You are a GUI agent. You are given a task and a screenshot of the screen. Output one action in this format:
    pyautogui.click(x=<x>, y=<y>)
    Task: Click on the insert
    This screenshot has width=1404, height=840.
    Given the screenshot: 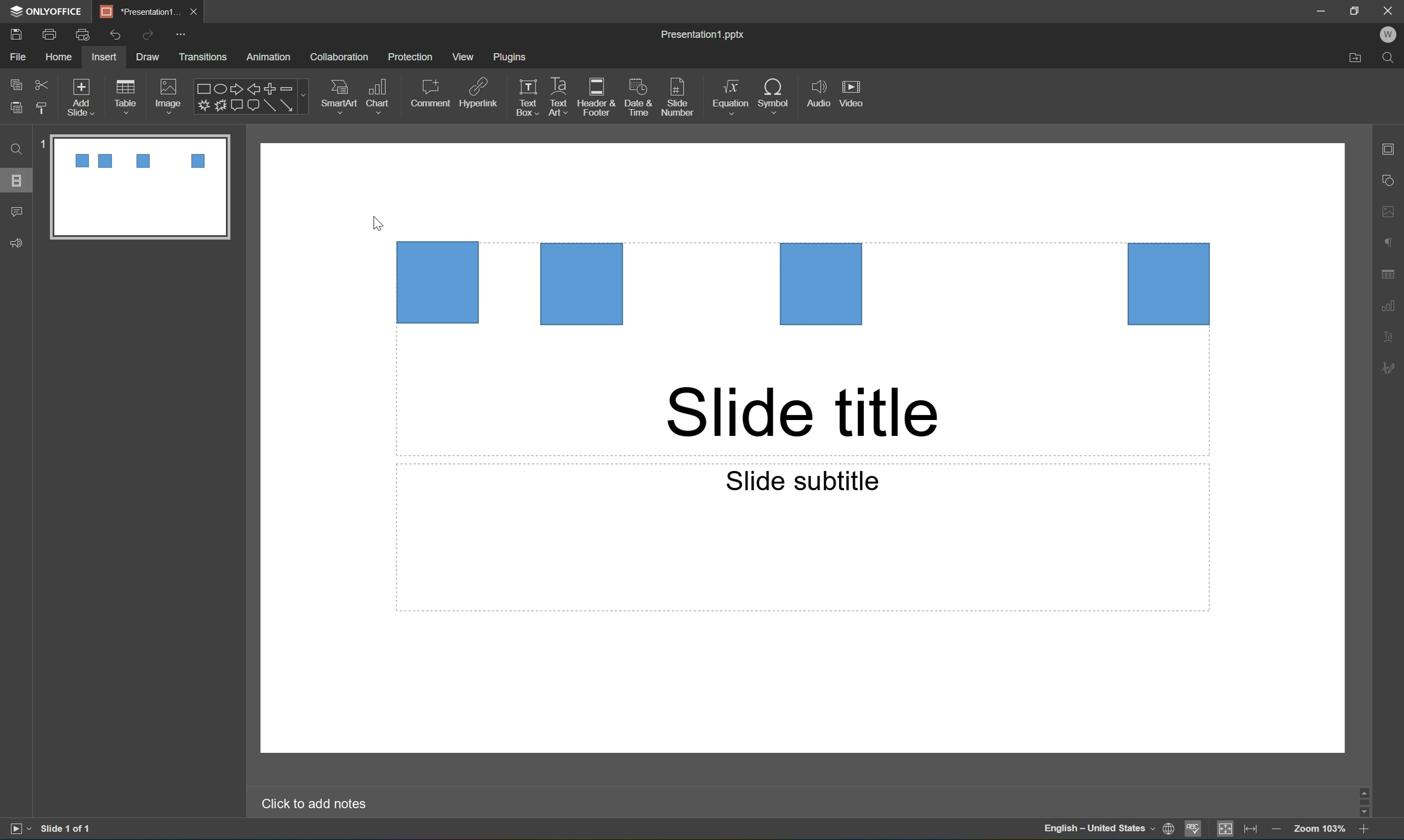 What is the action you would take?
    pyautogui.click(x=105, y=57)
    